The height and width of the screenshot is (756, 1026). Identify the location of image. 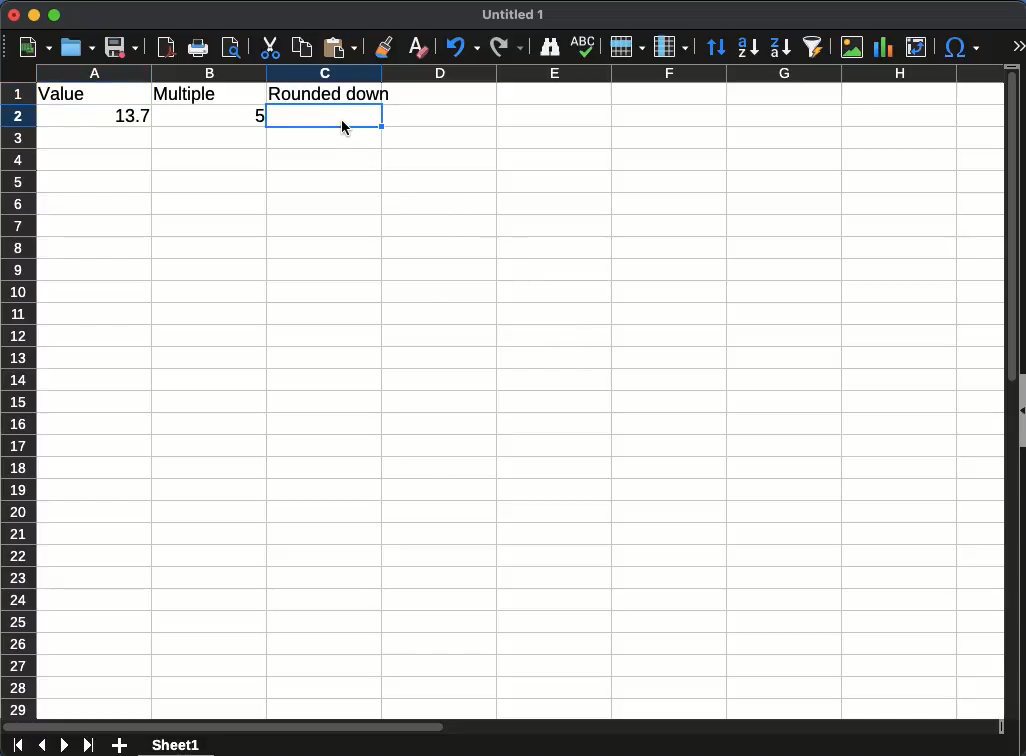
(854, 48).